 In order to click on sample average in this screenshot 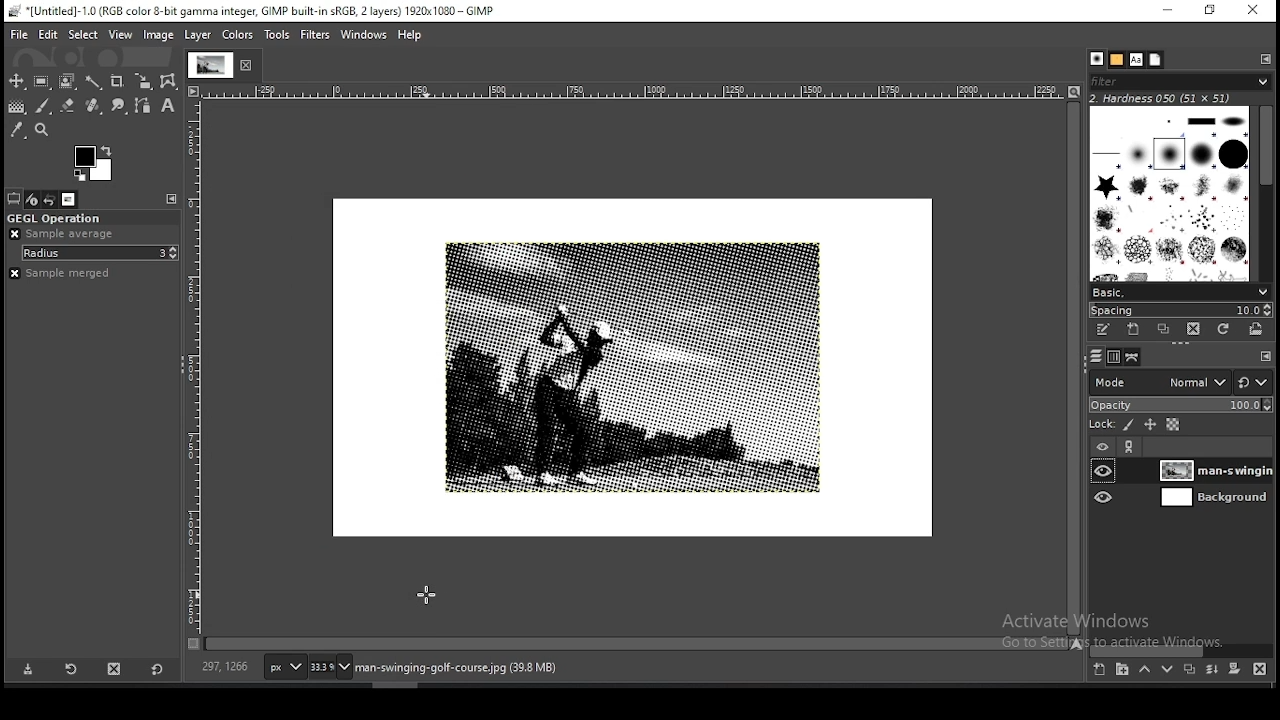, I will do `click(75, 235)`.